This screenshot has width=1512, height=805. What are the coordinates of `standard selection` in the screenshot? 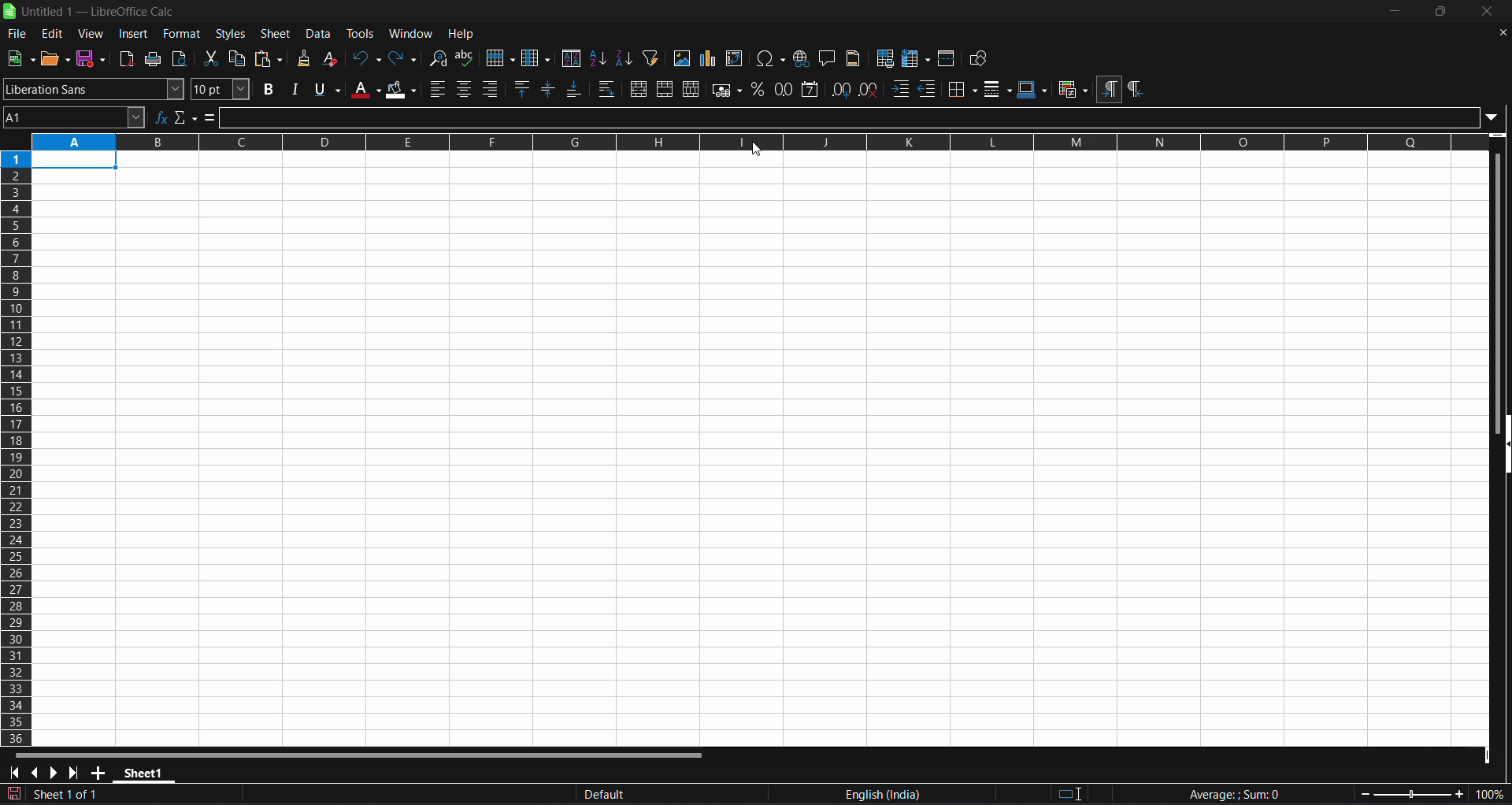 It's located at (1083, 793).